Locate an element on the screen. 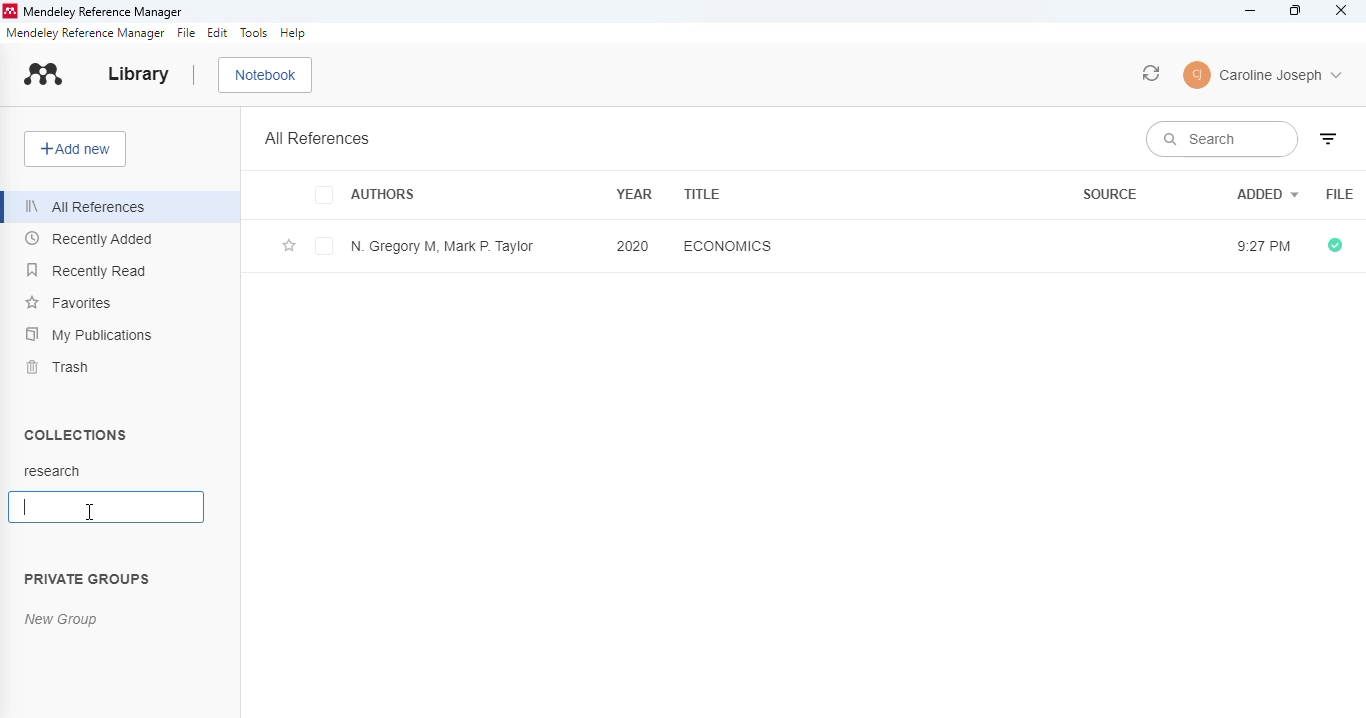  2020 is located at coordinates (633, 245).